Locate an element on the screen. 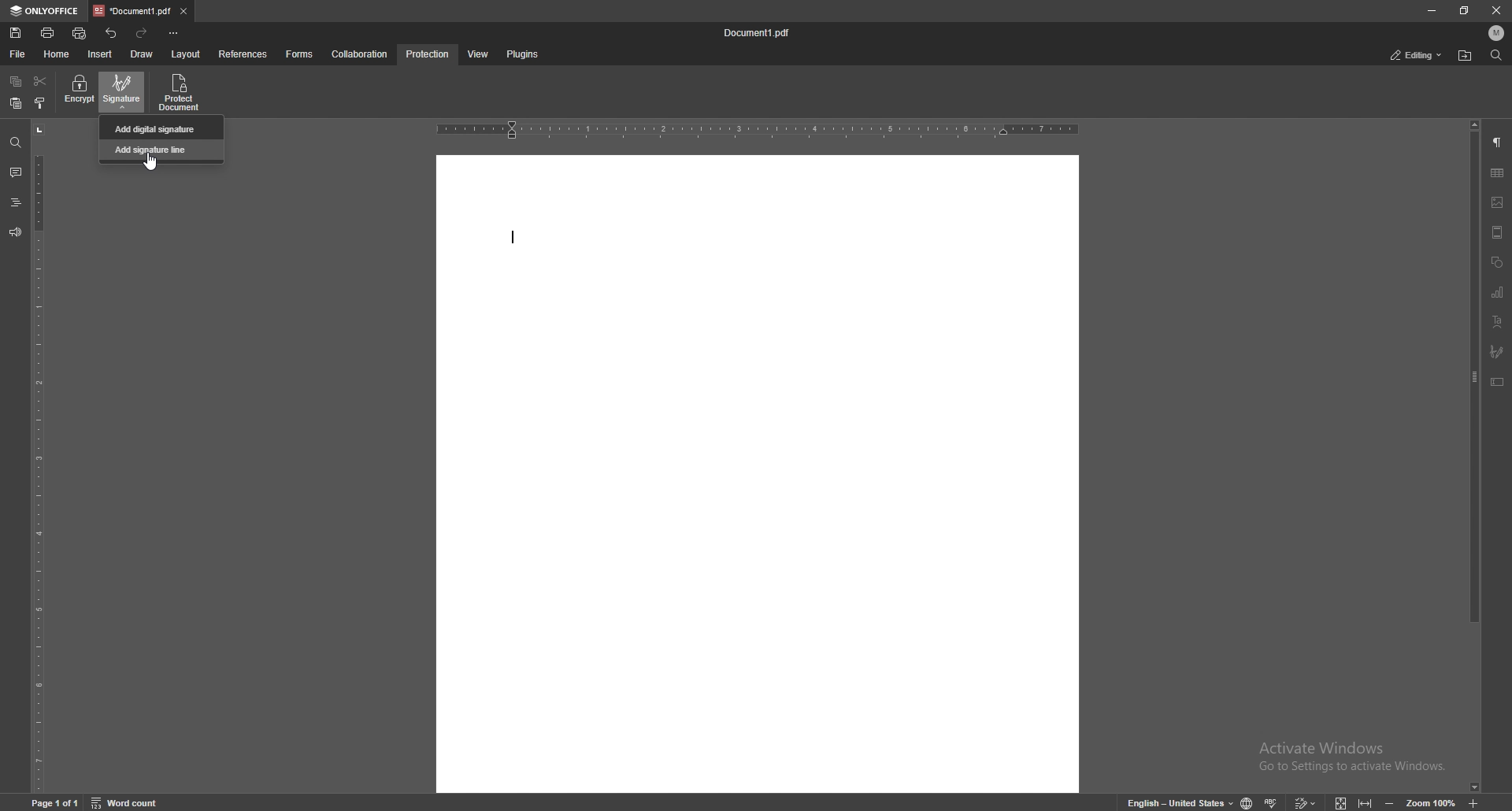 This screenshot has height=811, width=1512. copy is located at coordinates (16, 82).